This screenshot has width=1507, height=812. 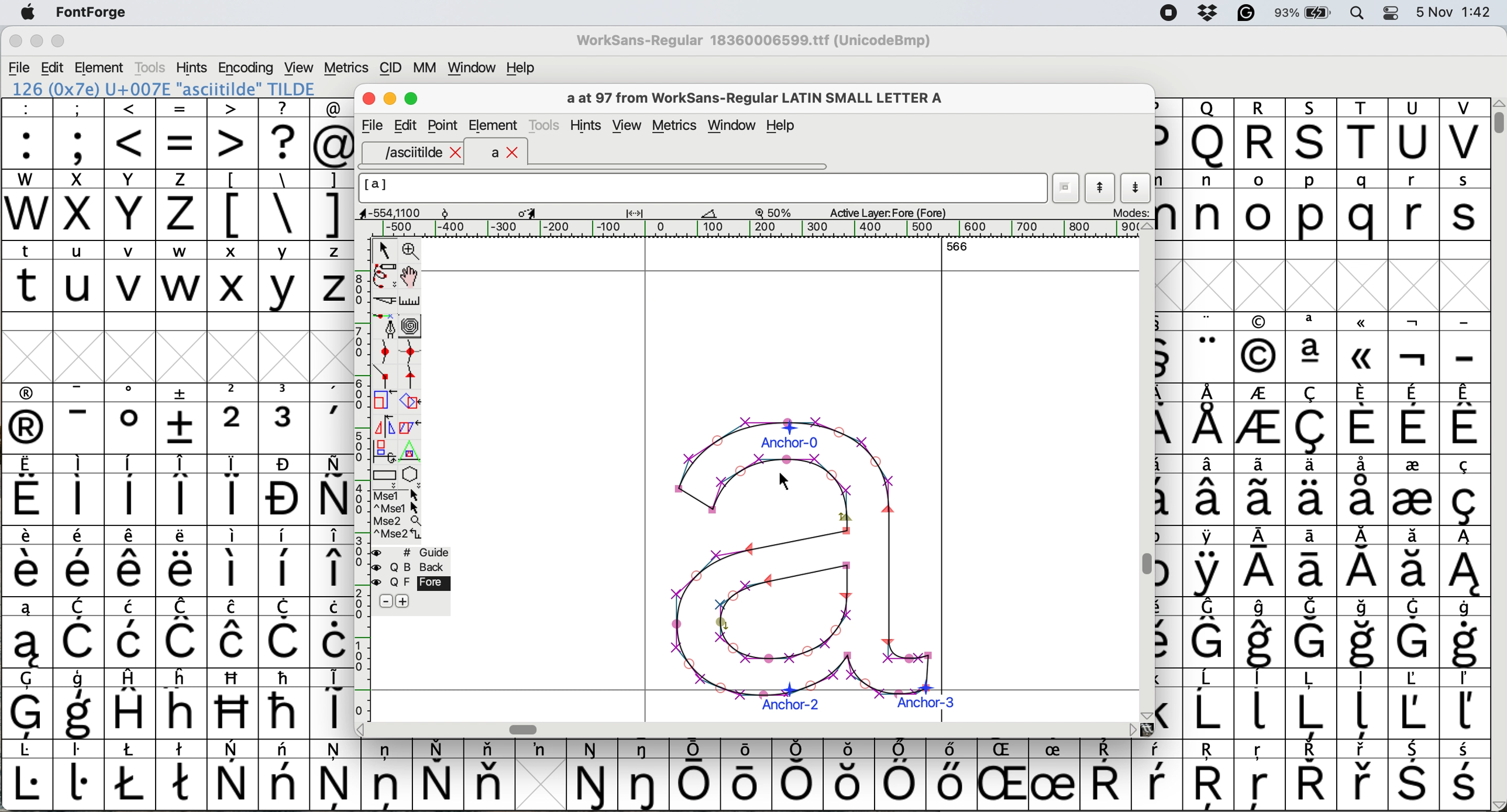 What do you see at coordinates (734, 126) in the screenshot?
I see `window` at bounding box center [734, 126].